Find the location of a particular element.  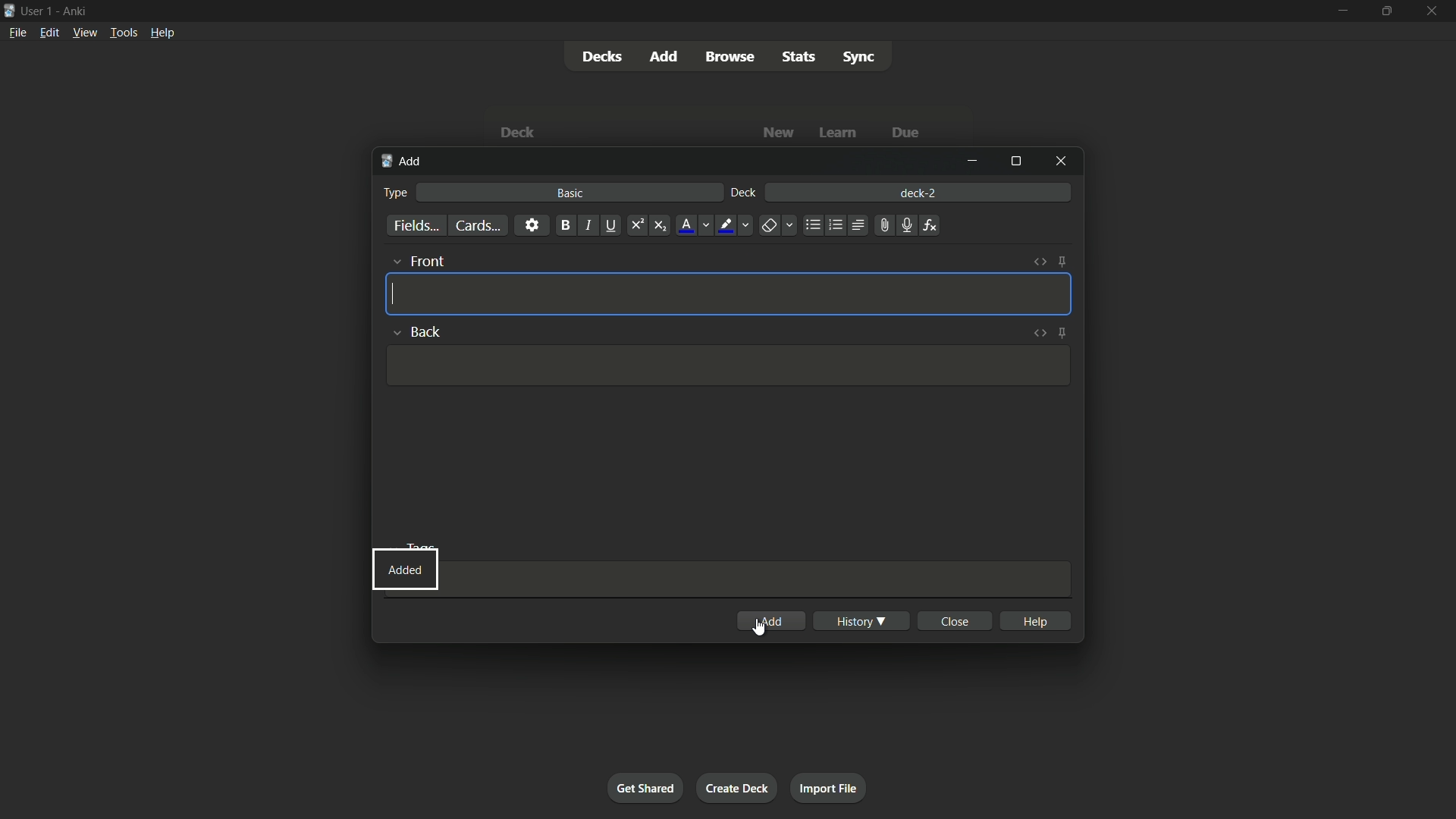

due is located at coordinates (903, 133).